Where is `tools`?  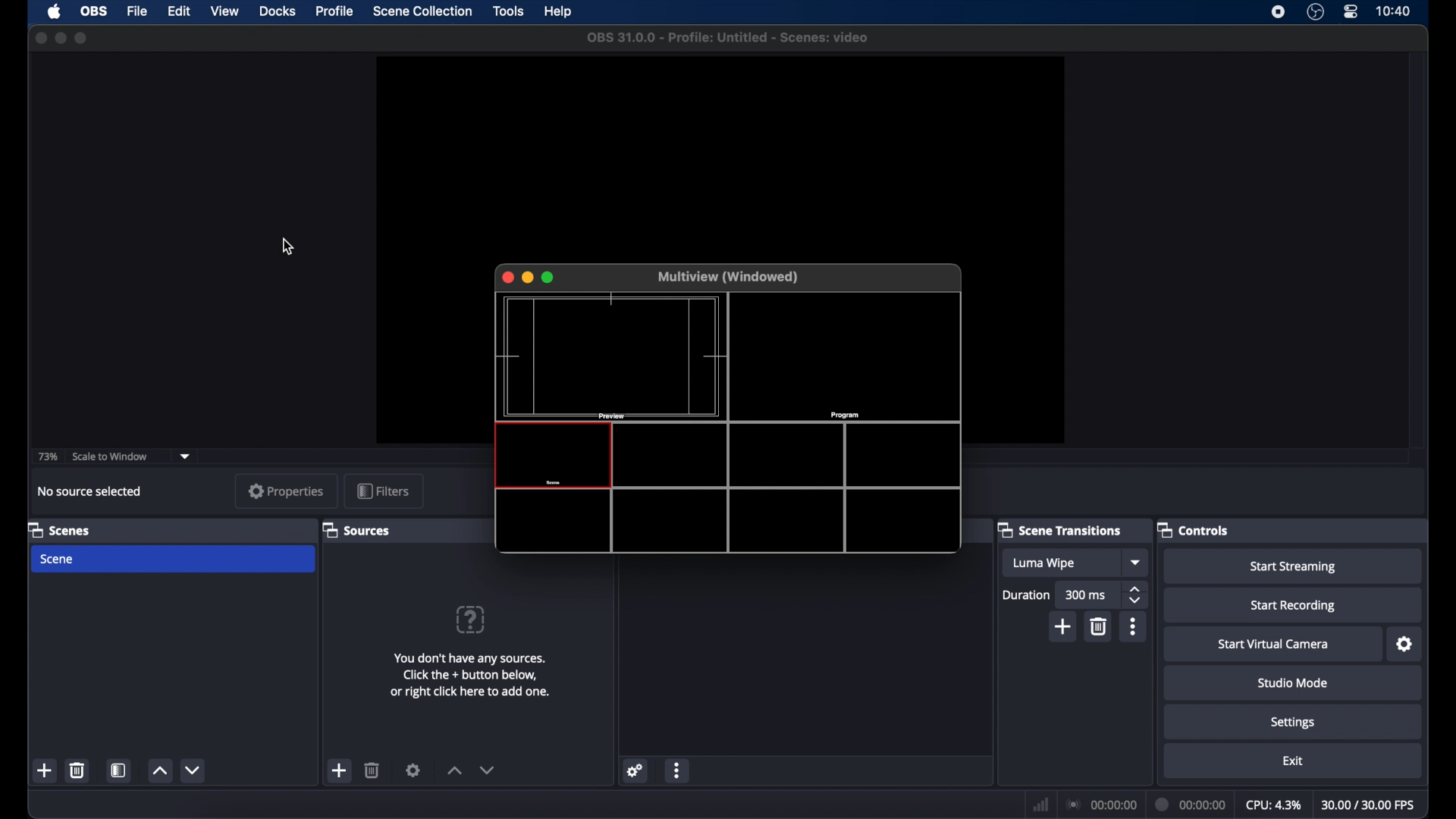
tools is located at coordinates (509, 11).